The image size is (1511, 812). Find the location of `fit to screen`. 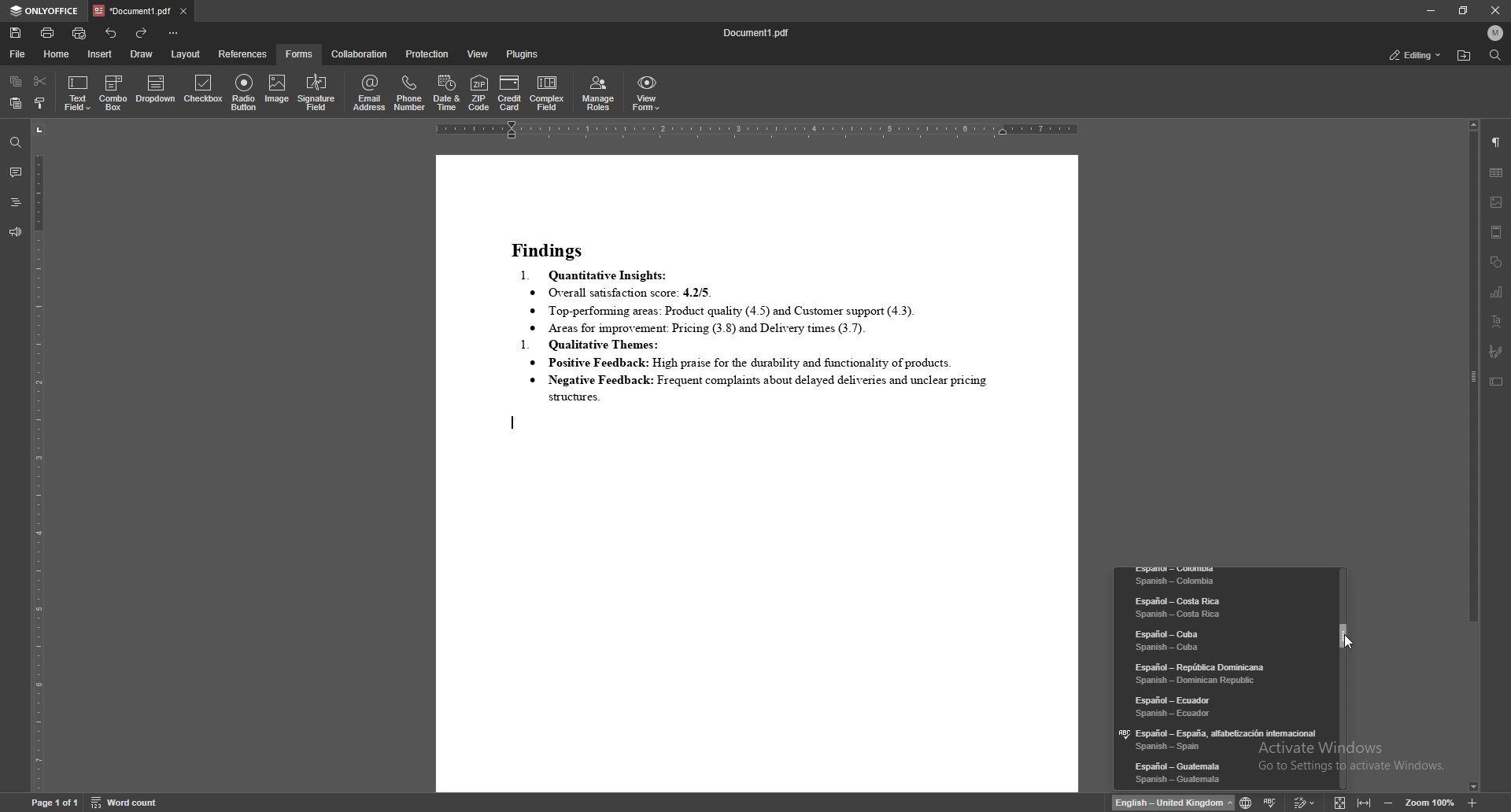

fit to screen is located at coordinates (1337, 802).